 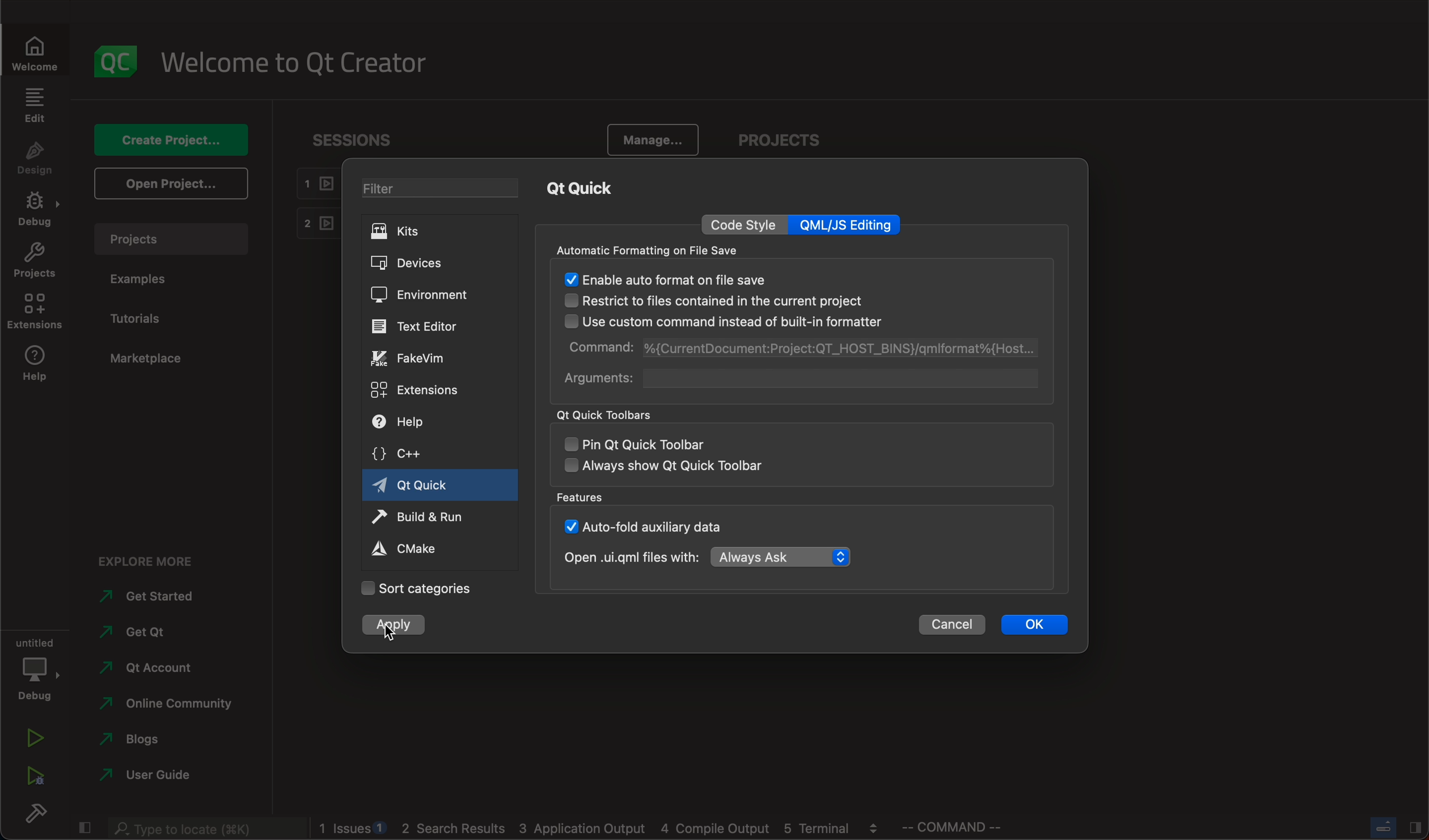 I want to click on debug, so click(x=36, y=210).